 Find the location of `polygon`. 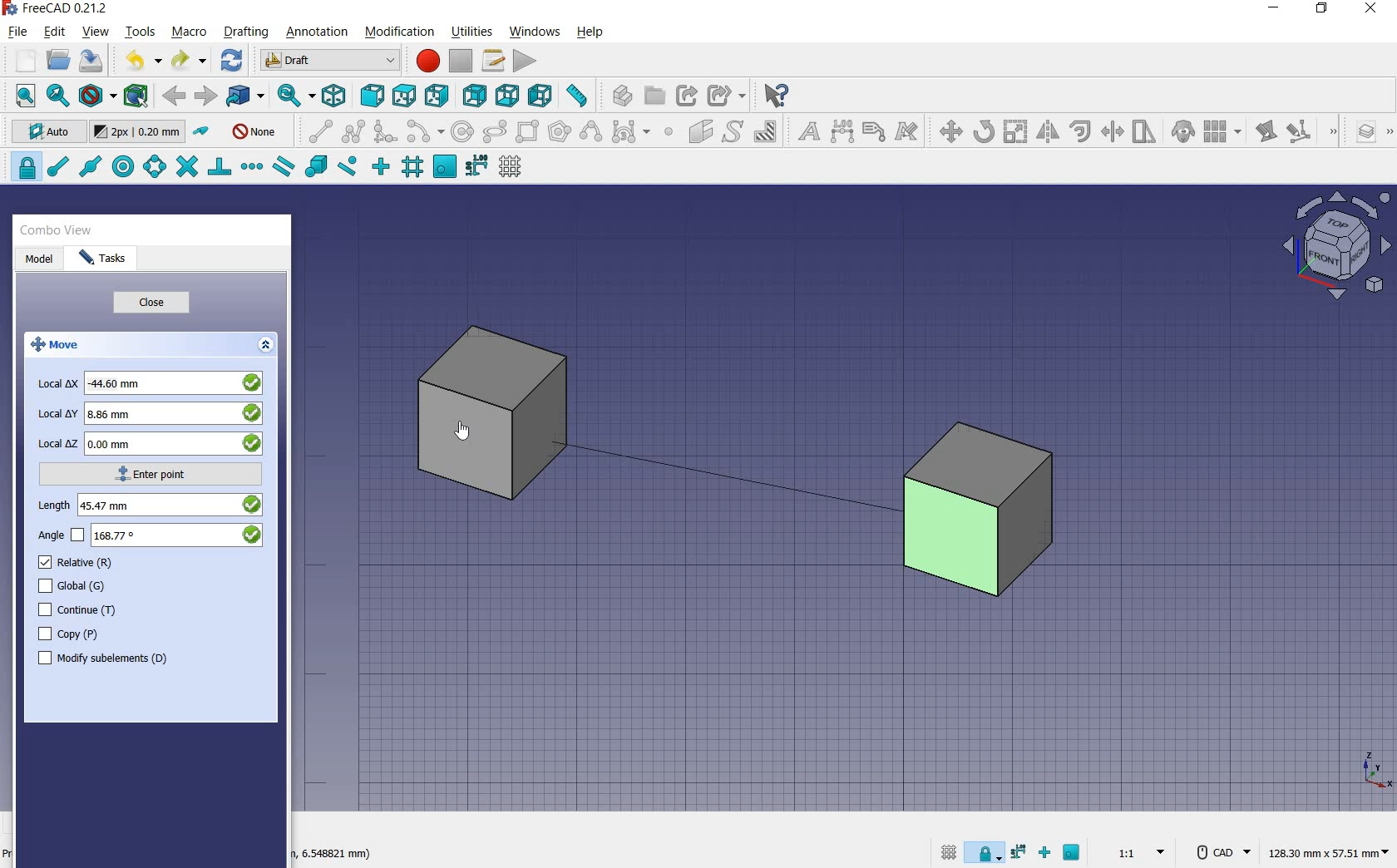

polygon is located at coordinates (560, 132).